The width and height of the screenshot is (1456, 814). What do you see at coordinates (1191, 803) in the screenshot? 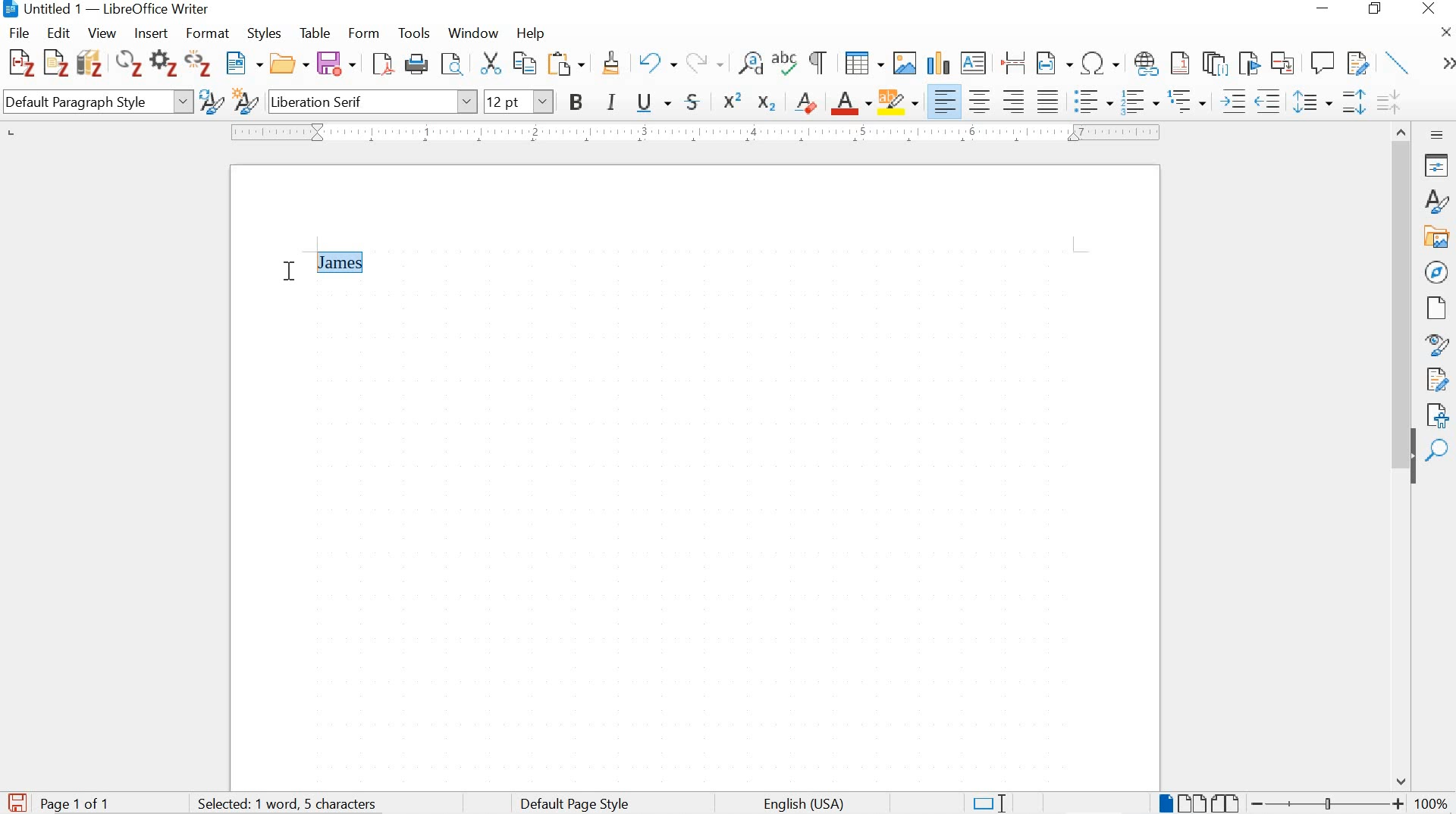
I see `multiple page view` at bounding box center [1191, 803].